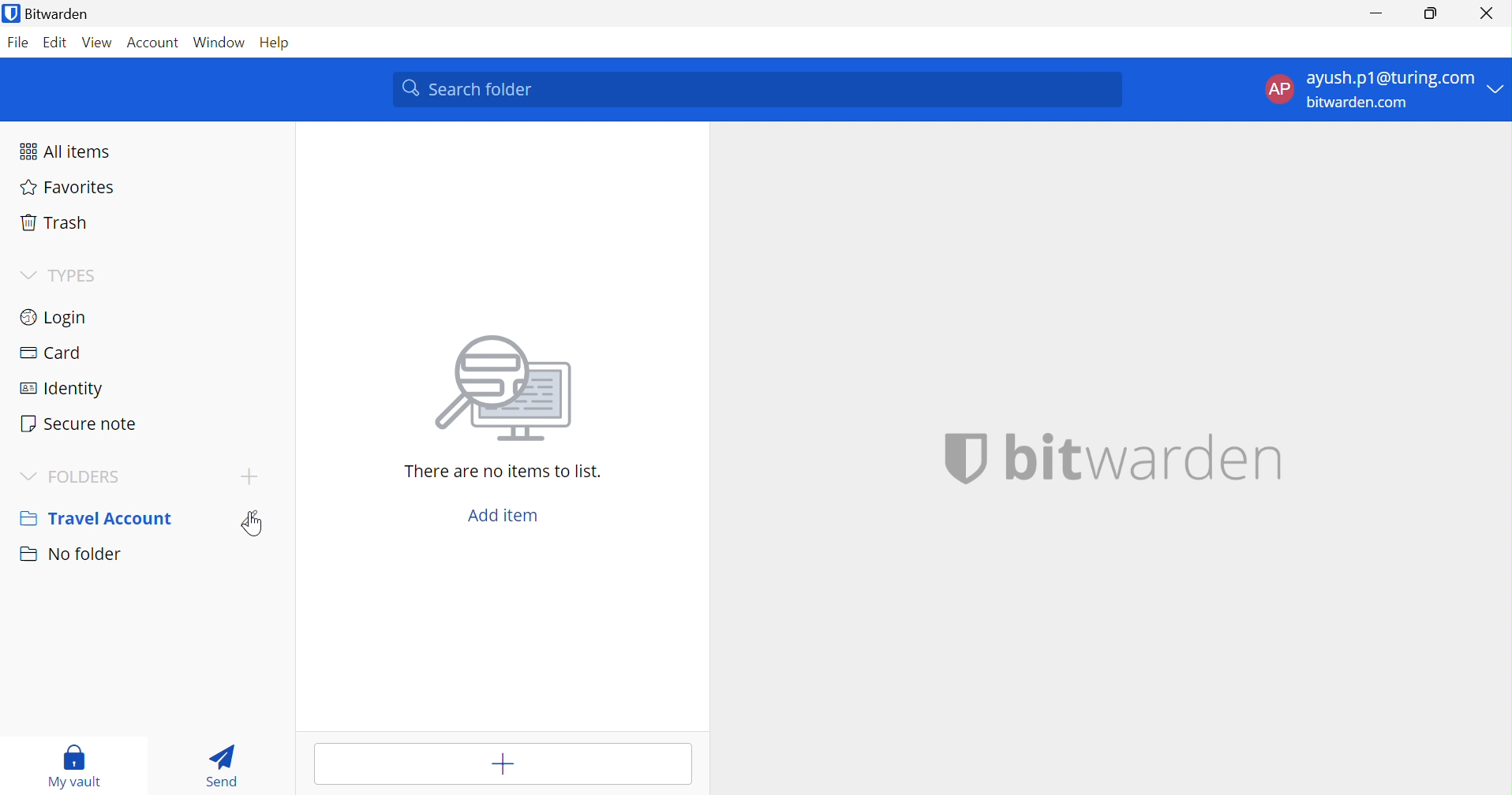  I want to click on Add item, so click(506, 512).